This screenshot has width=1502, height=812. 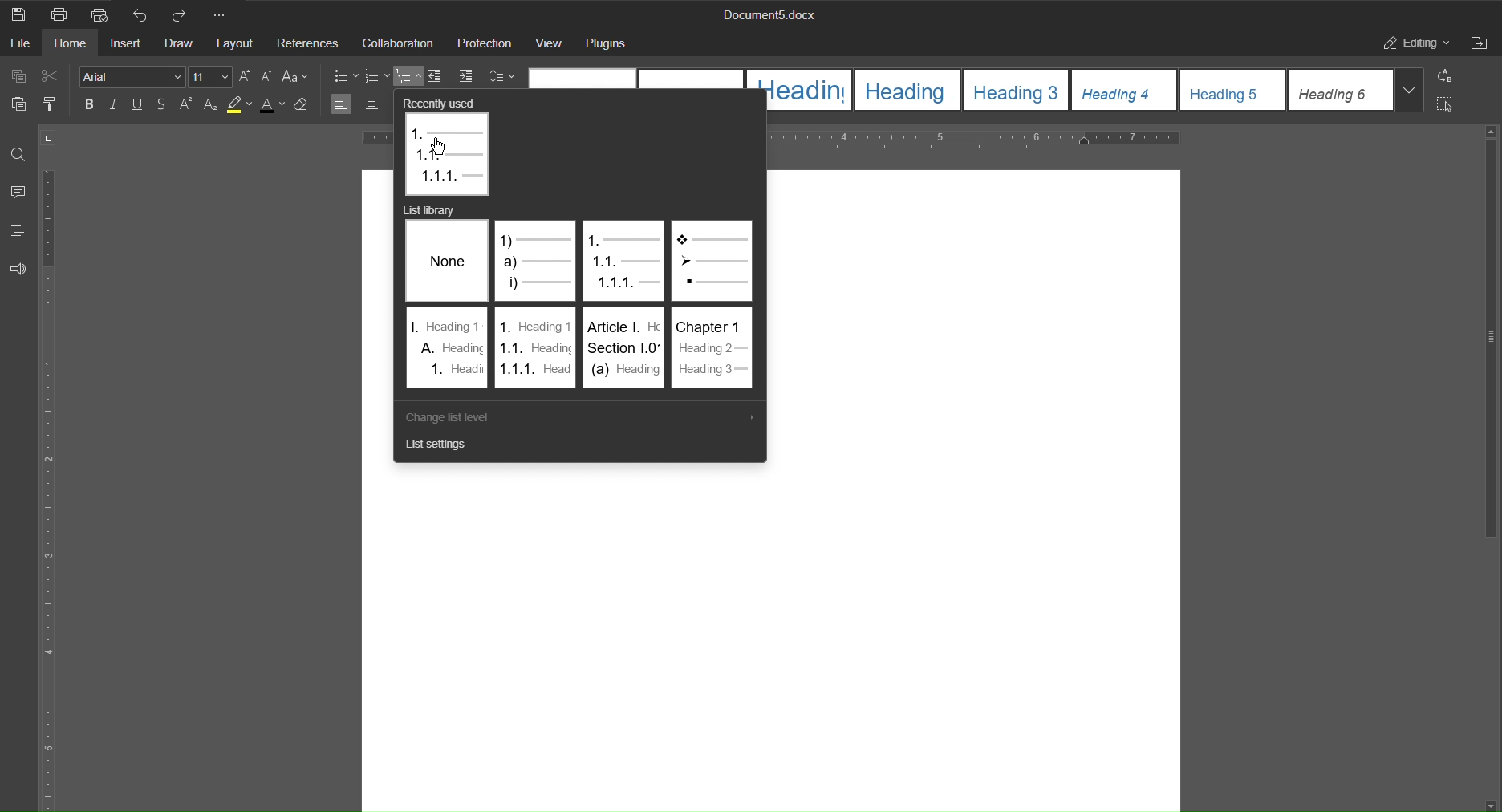 I want to click on Text Color, so click(x=272, y=104).